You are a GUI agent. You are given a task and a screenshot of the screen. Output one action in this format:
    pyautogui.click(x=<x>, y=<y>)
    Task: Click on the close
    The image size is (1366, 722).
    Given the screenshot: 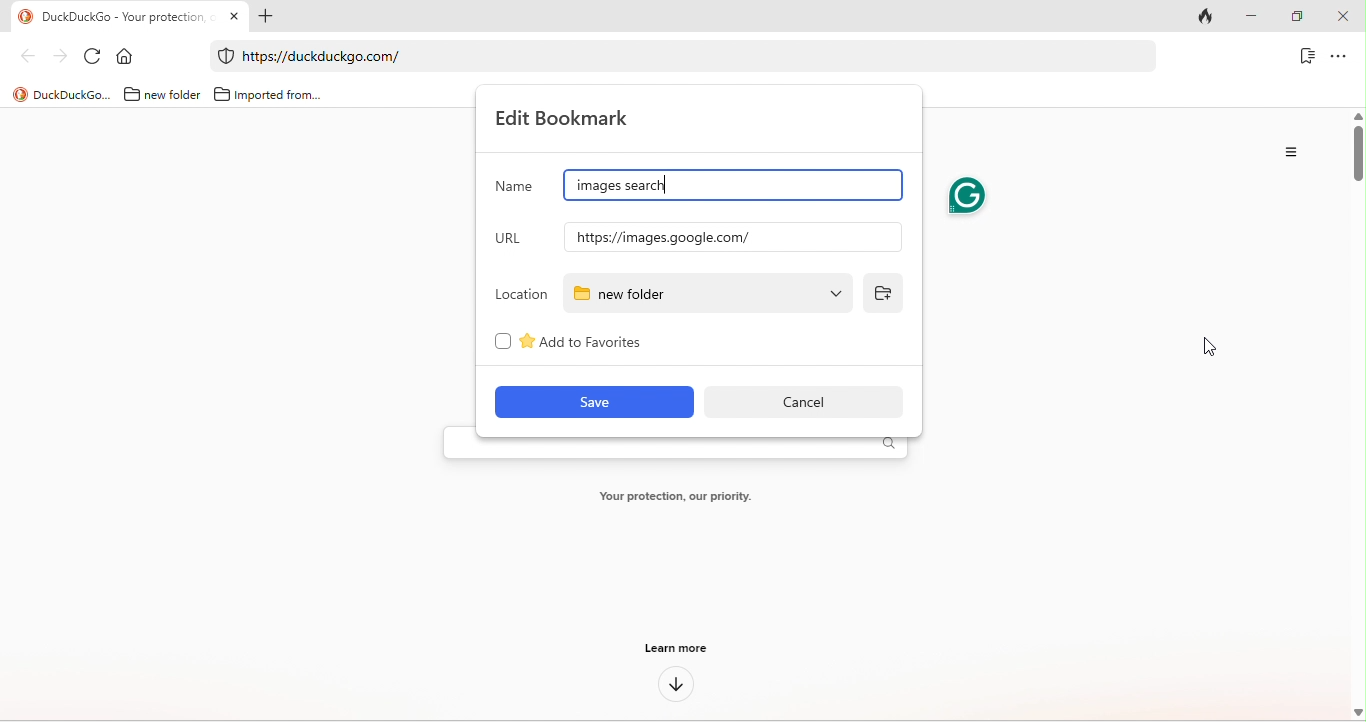 What is the action you would take?
    pyautogui.click(x=1346, y=17)
    